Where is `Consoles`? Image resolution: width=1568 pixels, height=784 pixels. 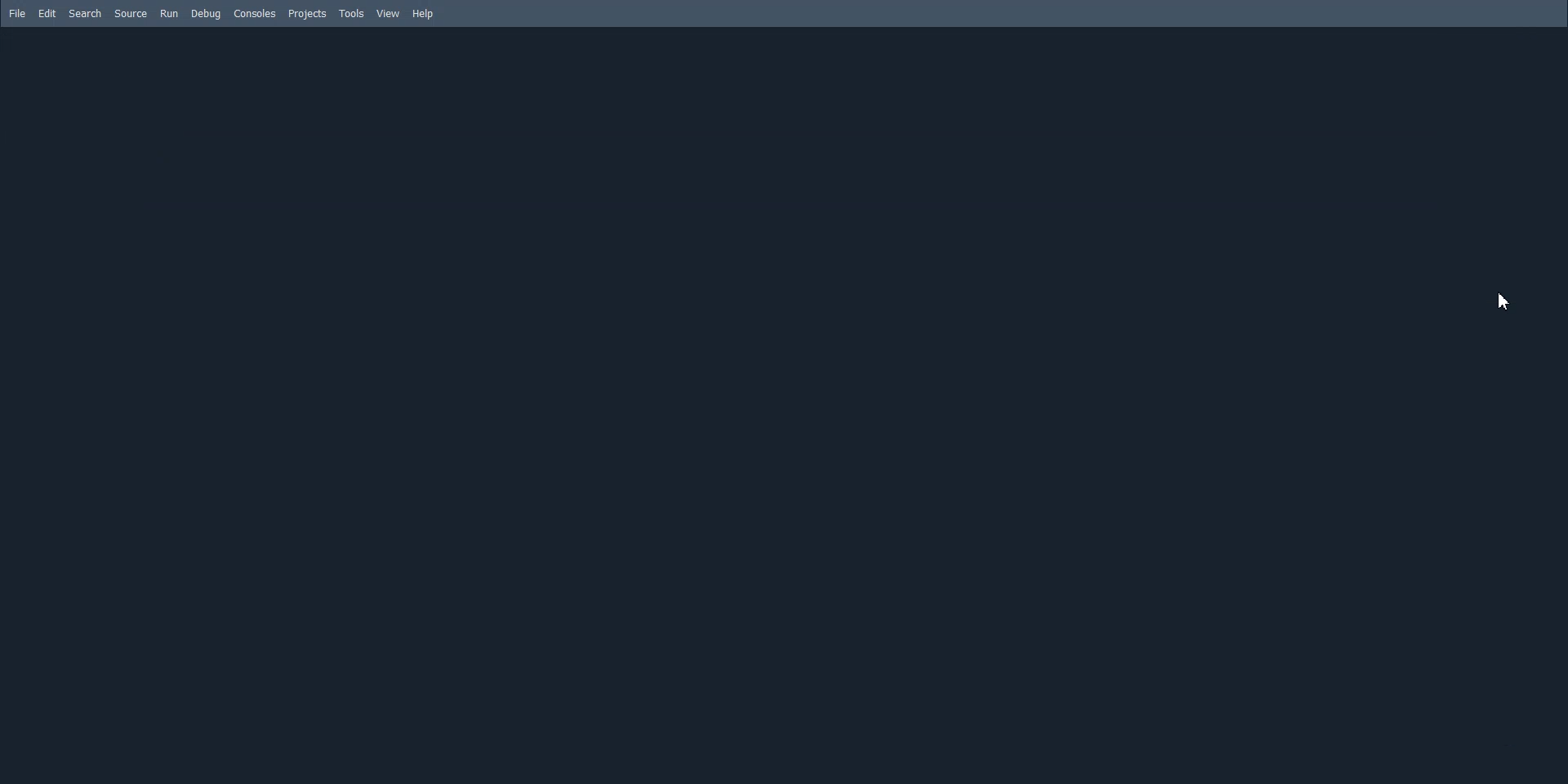
Consoles is located at coordinates (256, 14).